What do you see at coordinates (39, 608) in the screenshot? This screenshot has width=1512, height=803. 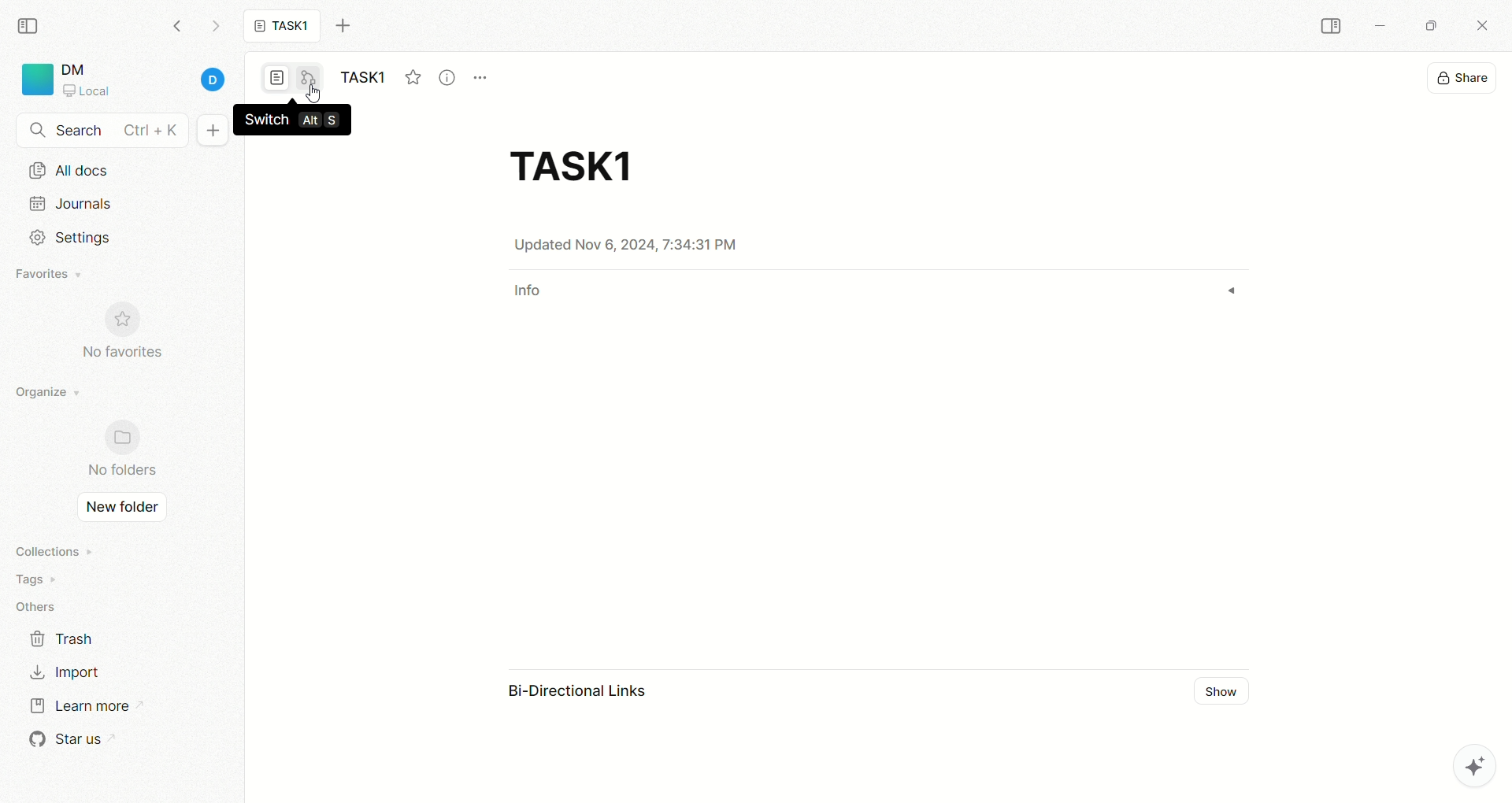 I see `others` at bounding box center [39, 608].